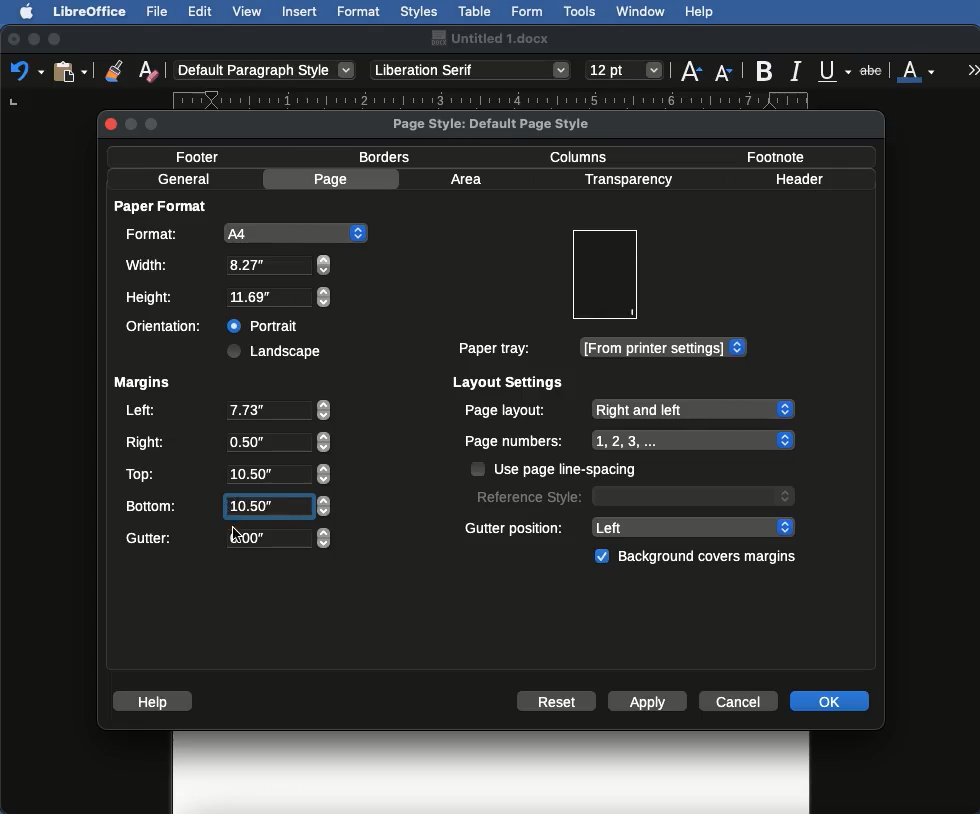 The width and height of the screenshot is (980, 814). I want to click on Apply, so click(648, 703).